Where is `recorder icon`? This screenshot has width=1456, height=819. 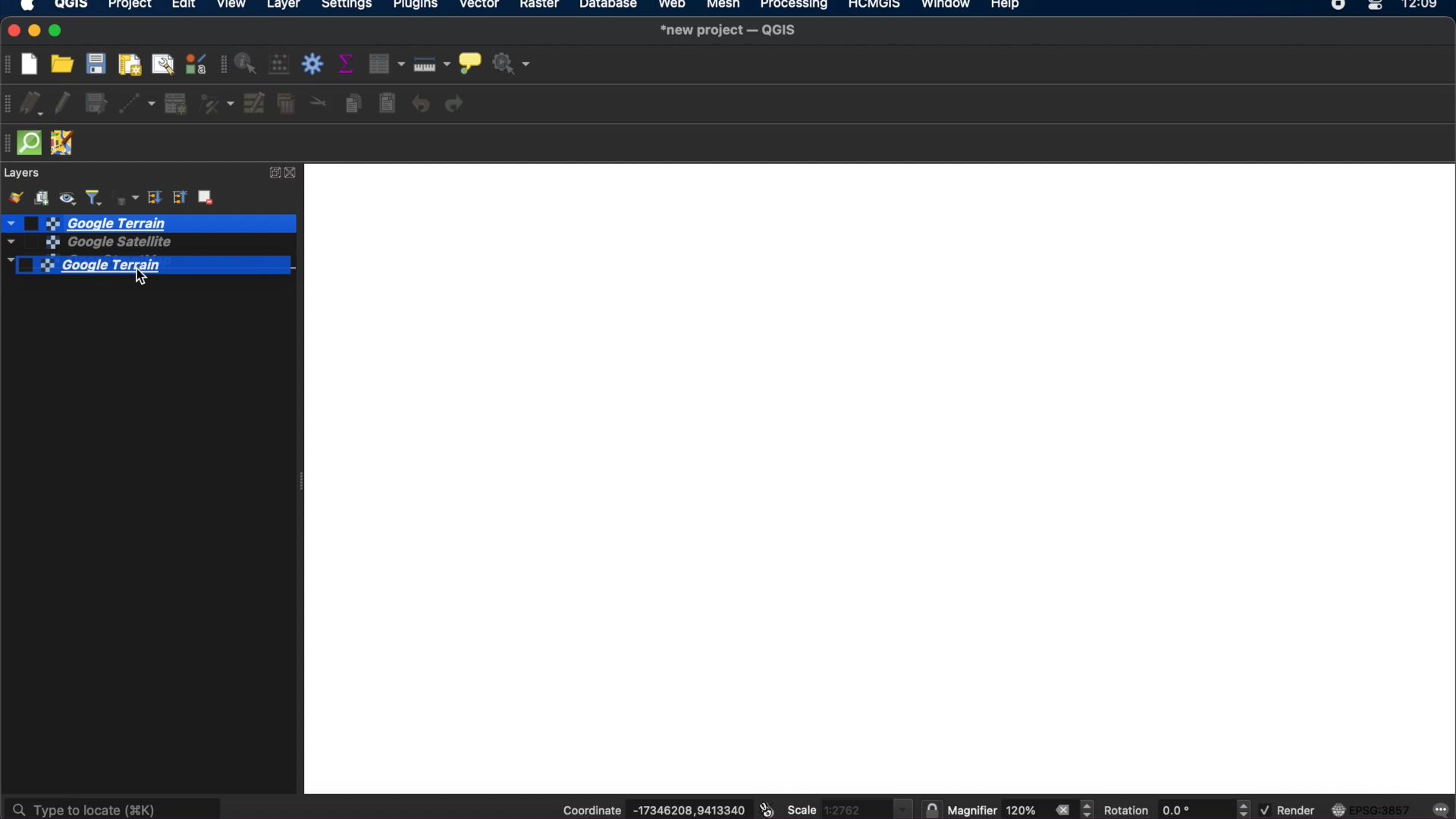 recorder icon is located at coordinates (1339, 6).